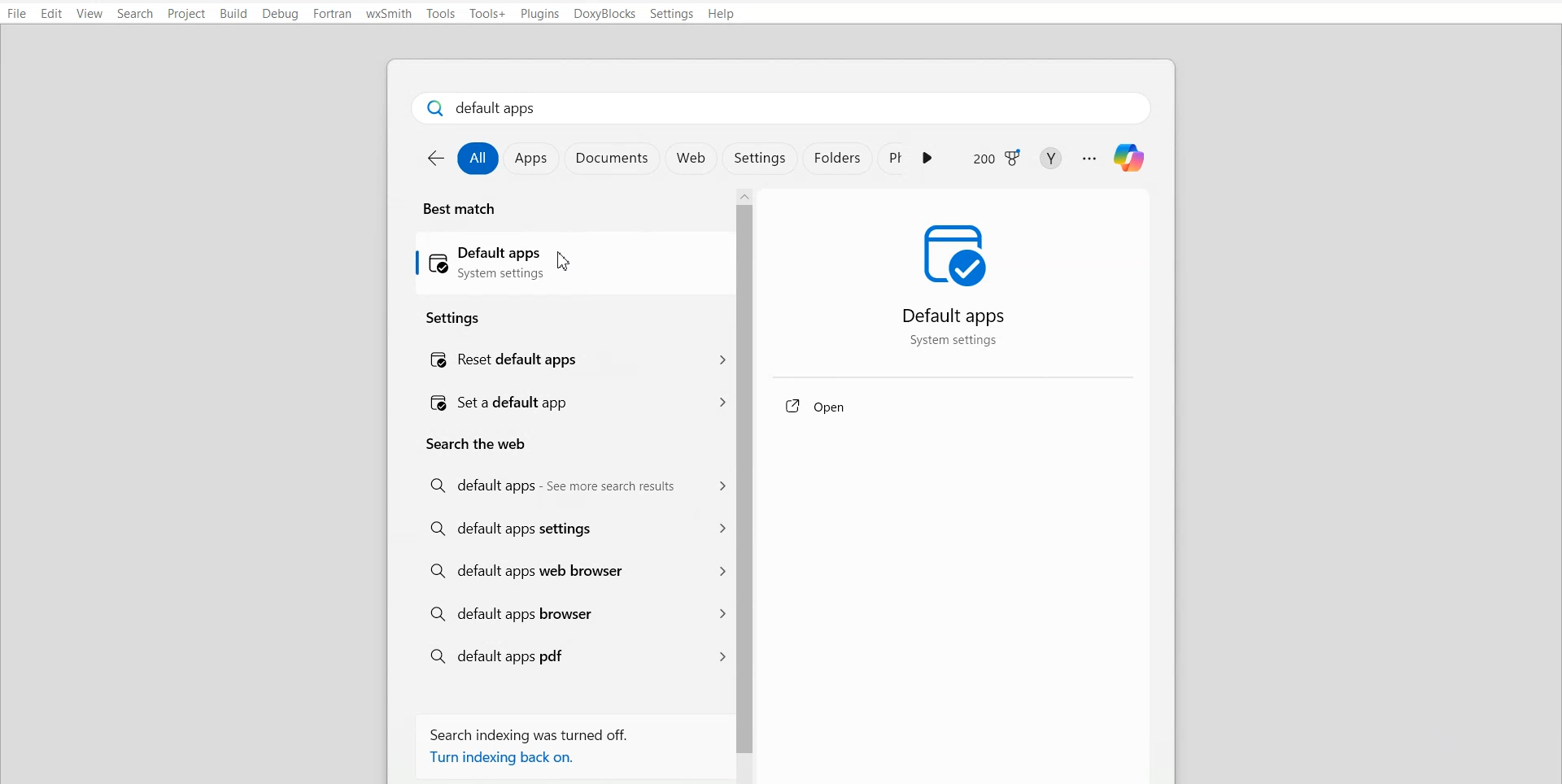  What do you see at coordinates (758, 159) in the screenshot?
I see `Settings` at bounding box center [758, 159].